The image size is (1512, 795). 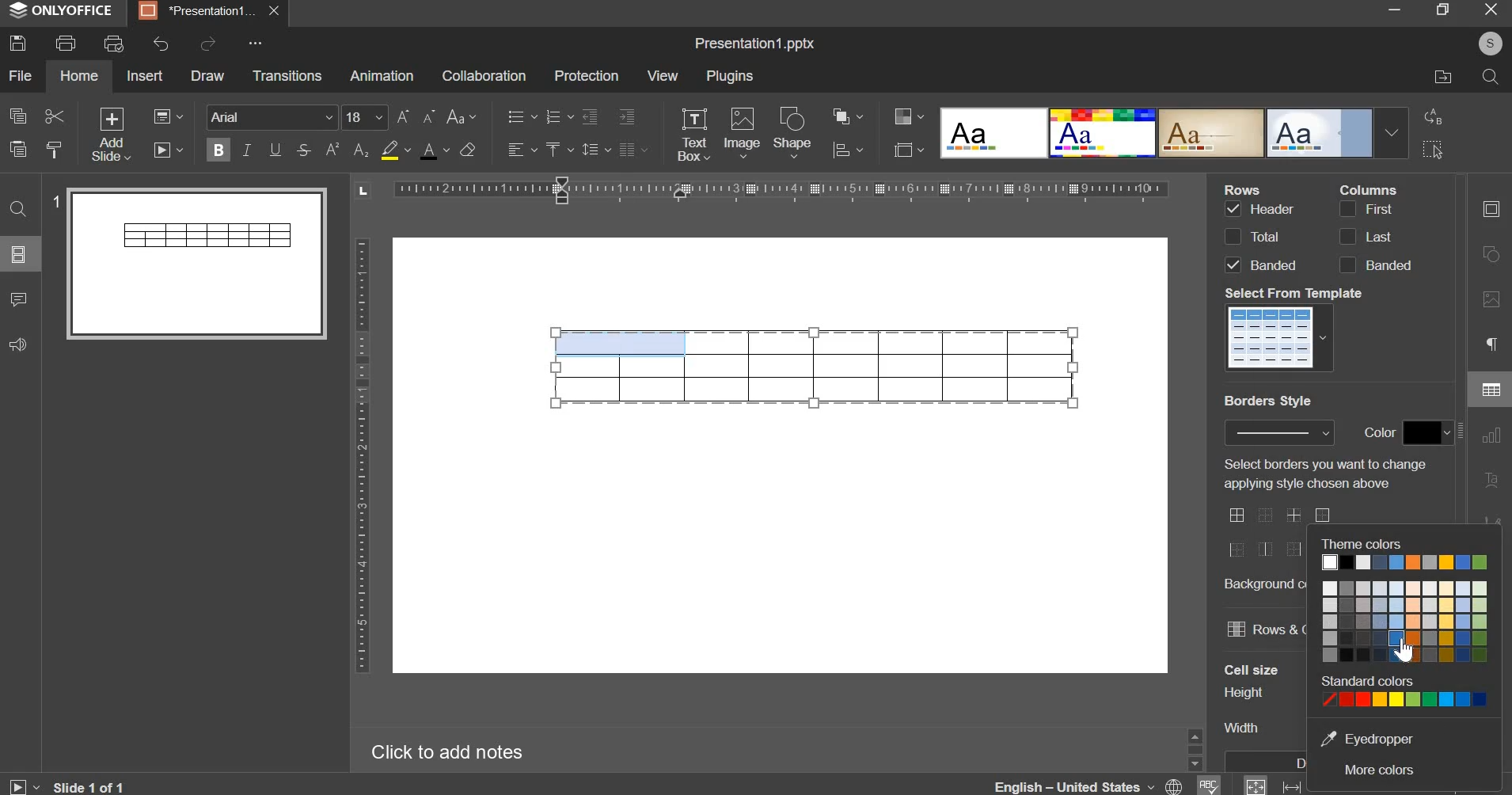 What do you see at coordinates (483, 75) in the screenshot?
I see `collaboration` at bounding box center [483, 75].